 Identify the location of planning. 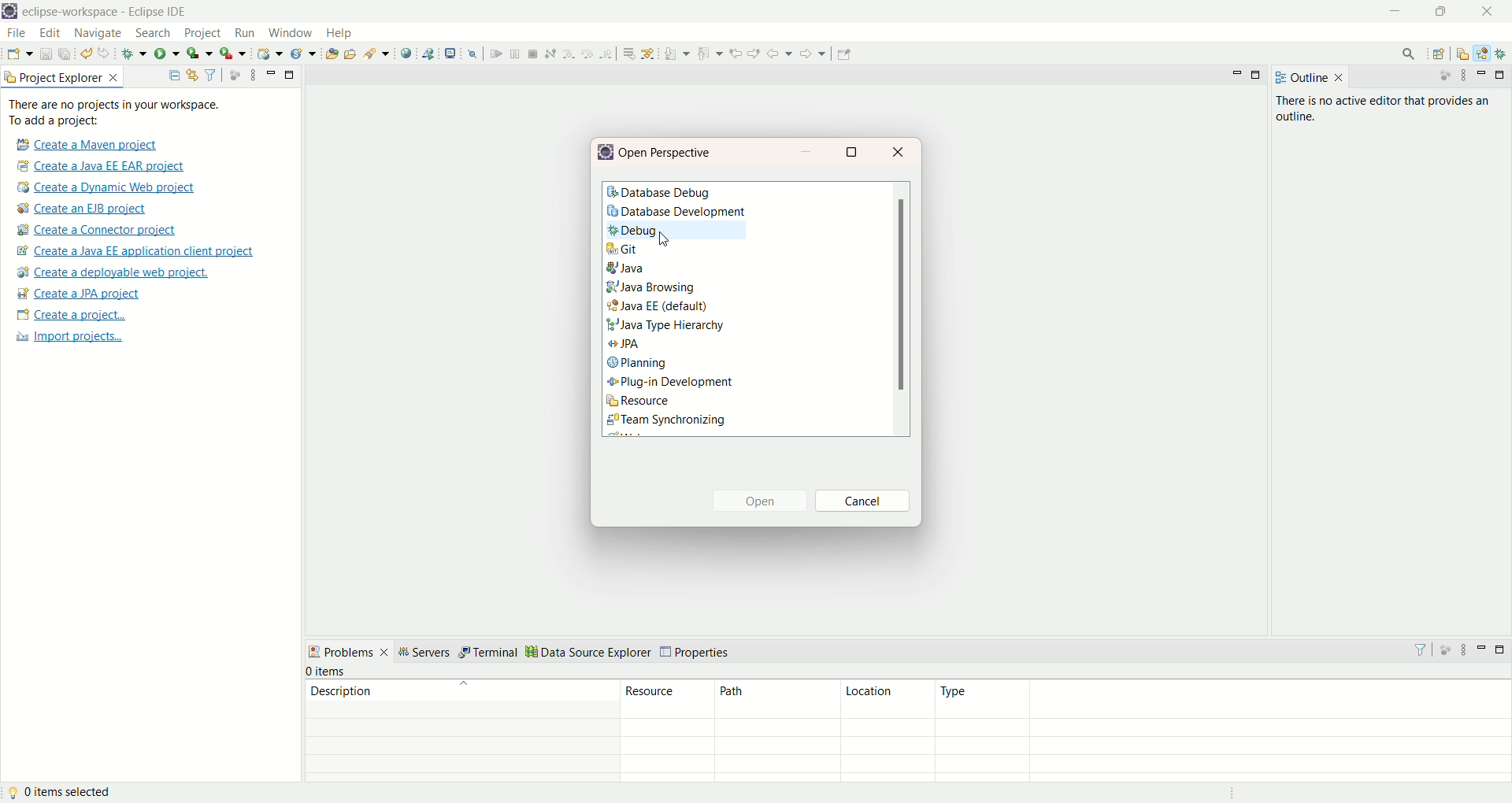
(639, 364).